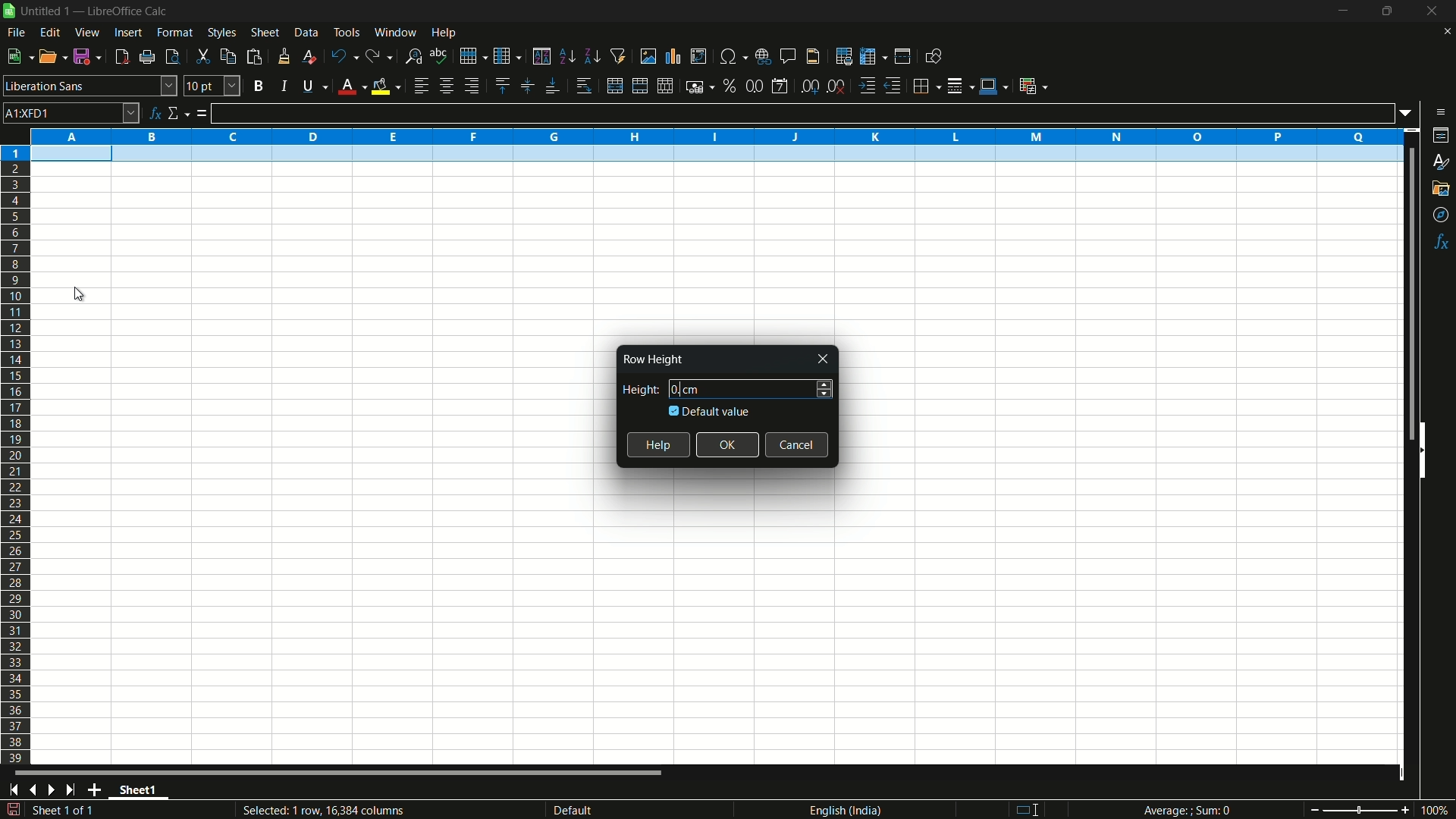  I want to click on styles, so click(1439, 163).